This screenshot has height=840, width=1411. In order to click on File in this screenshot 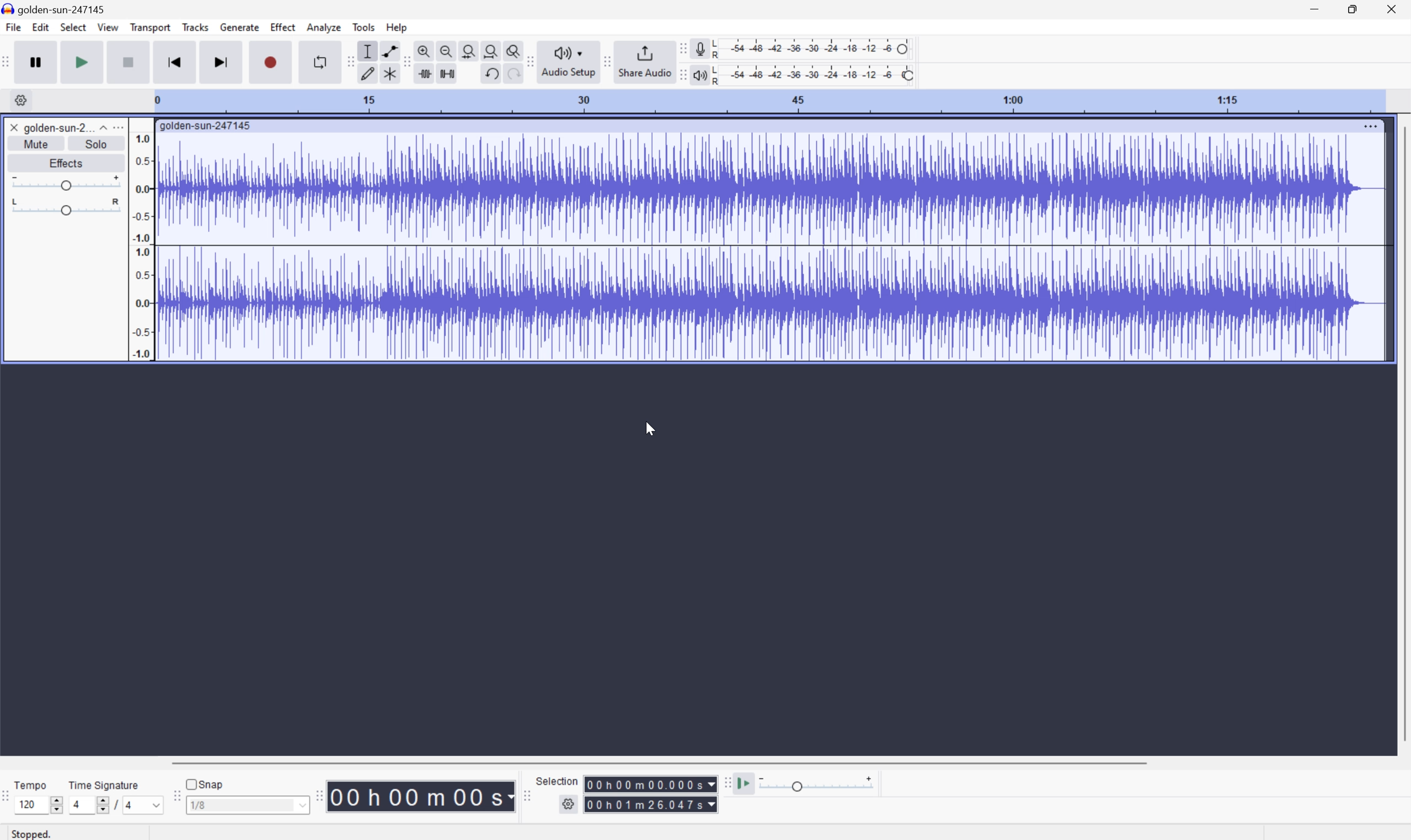, I will do `click(12, 27)`.